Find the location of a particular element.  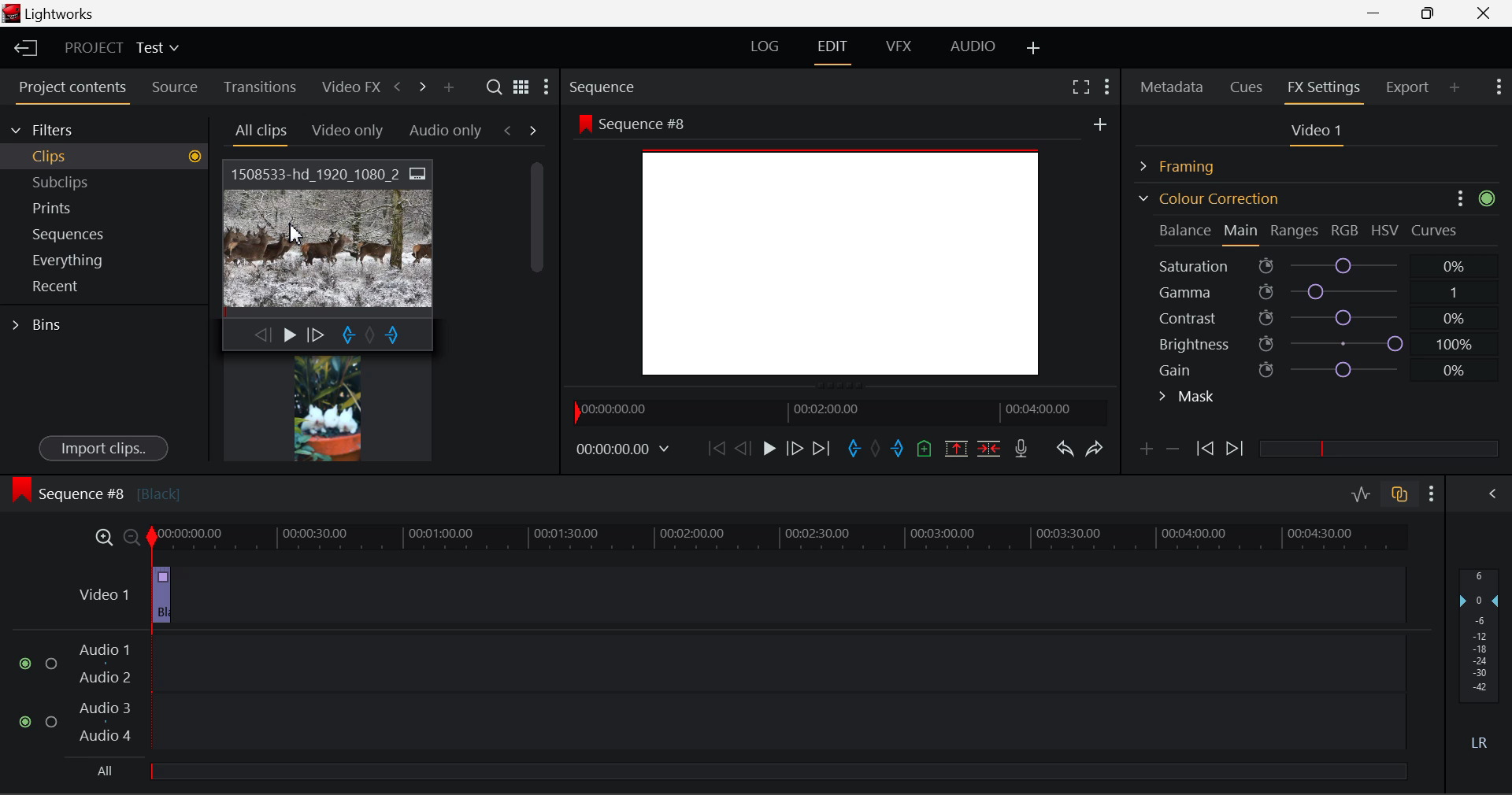

Clip 1 Segment is located at coordinates (160, 596).